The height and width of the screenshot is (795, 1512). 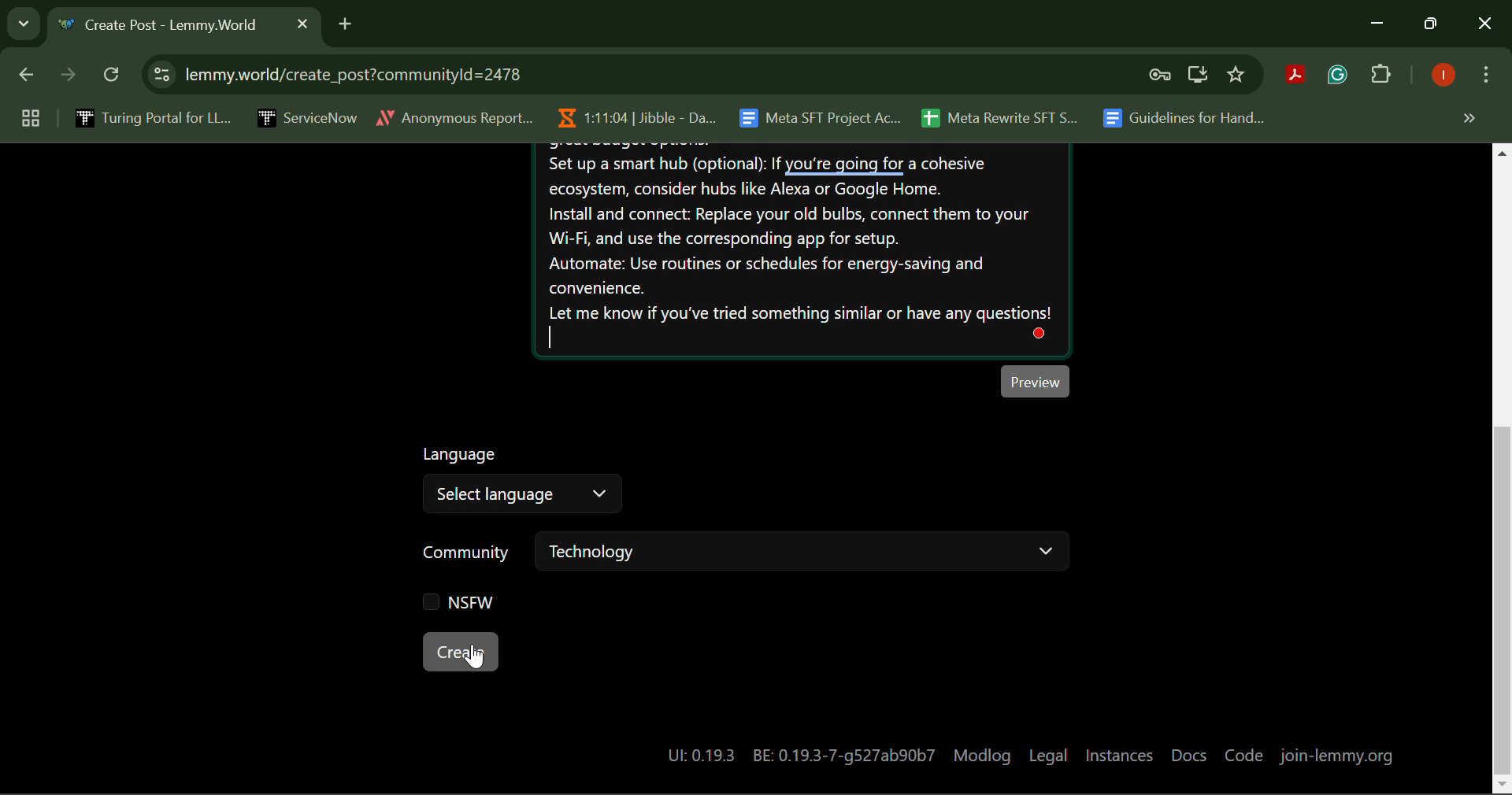 What do you see at coordinates (460, 652) in the screenshot?
I see `Create Post Button` at bounding box center [460, 652].